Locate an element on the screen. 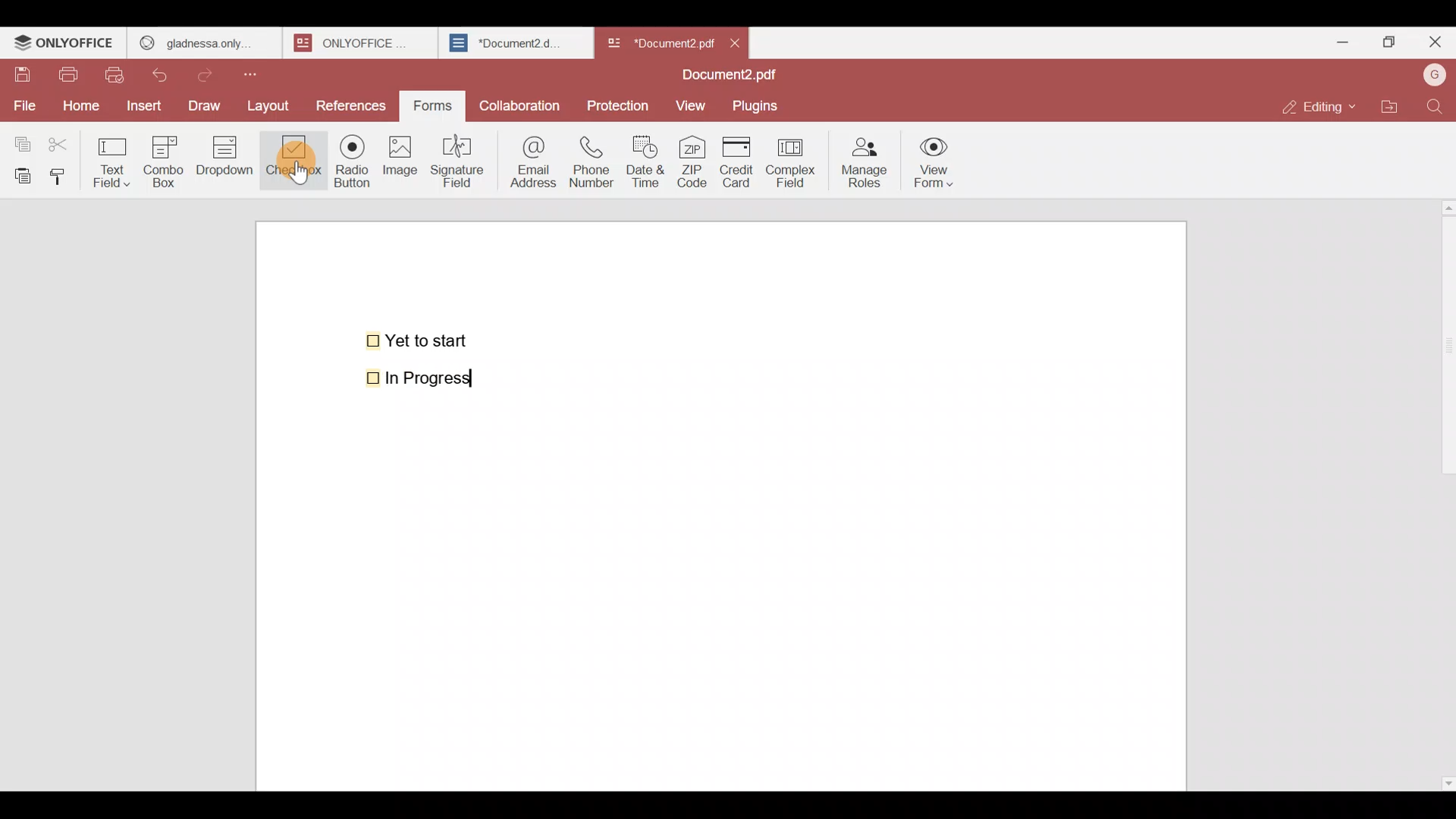 The height and width of the screenshot is (819, 1456). View is located at coordinates (693, 105).